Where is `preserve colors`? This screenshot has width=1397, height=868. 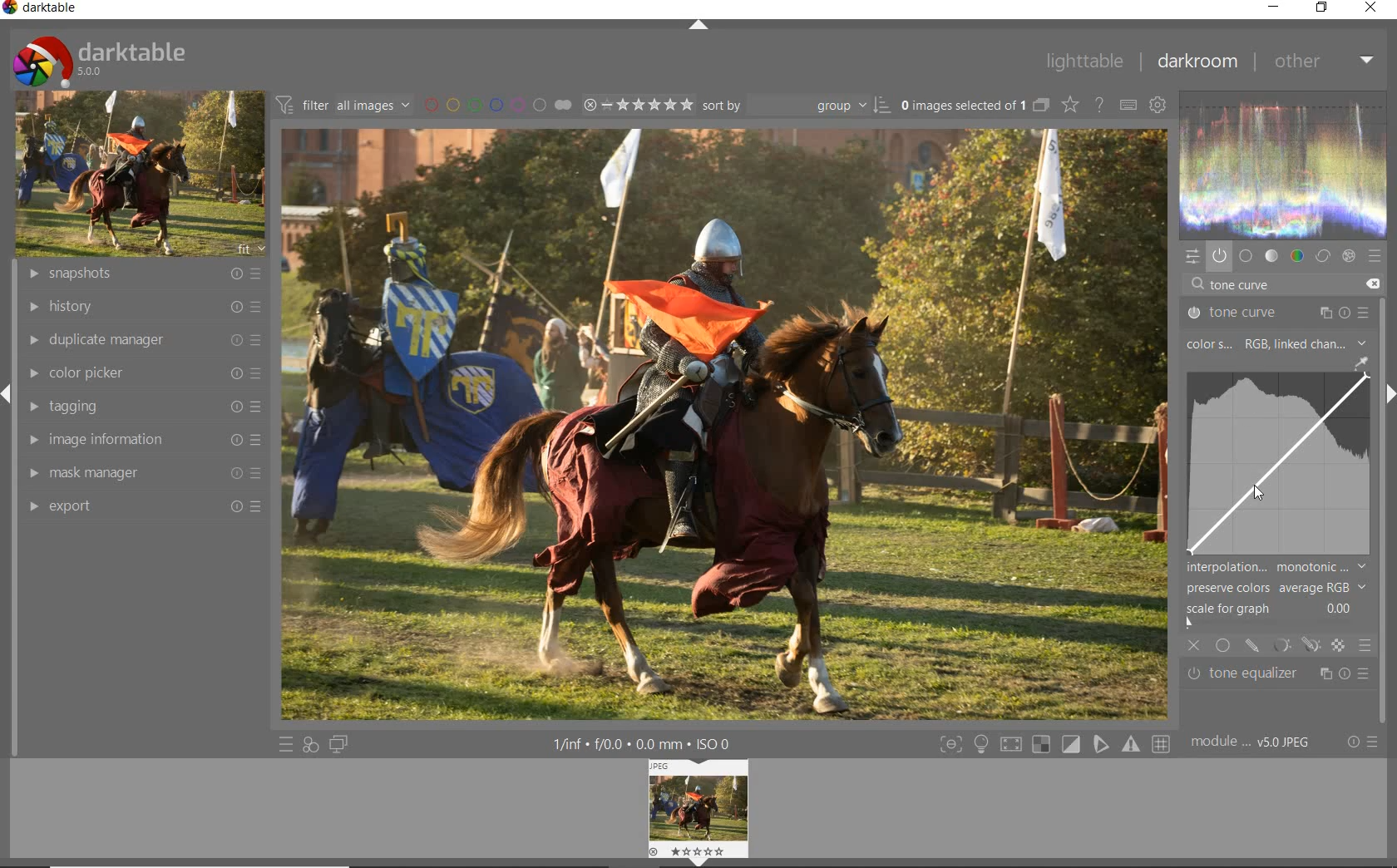 preserve colors is located at coordinates (1276, 588).